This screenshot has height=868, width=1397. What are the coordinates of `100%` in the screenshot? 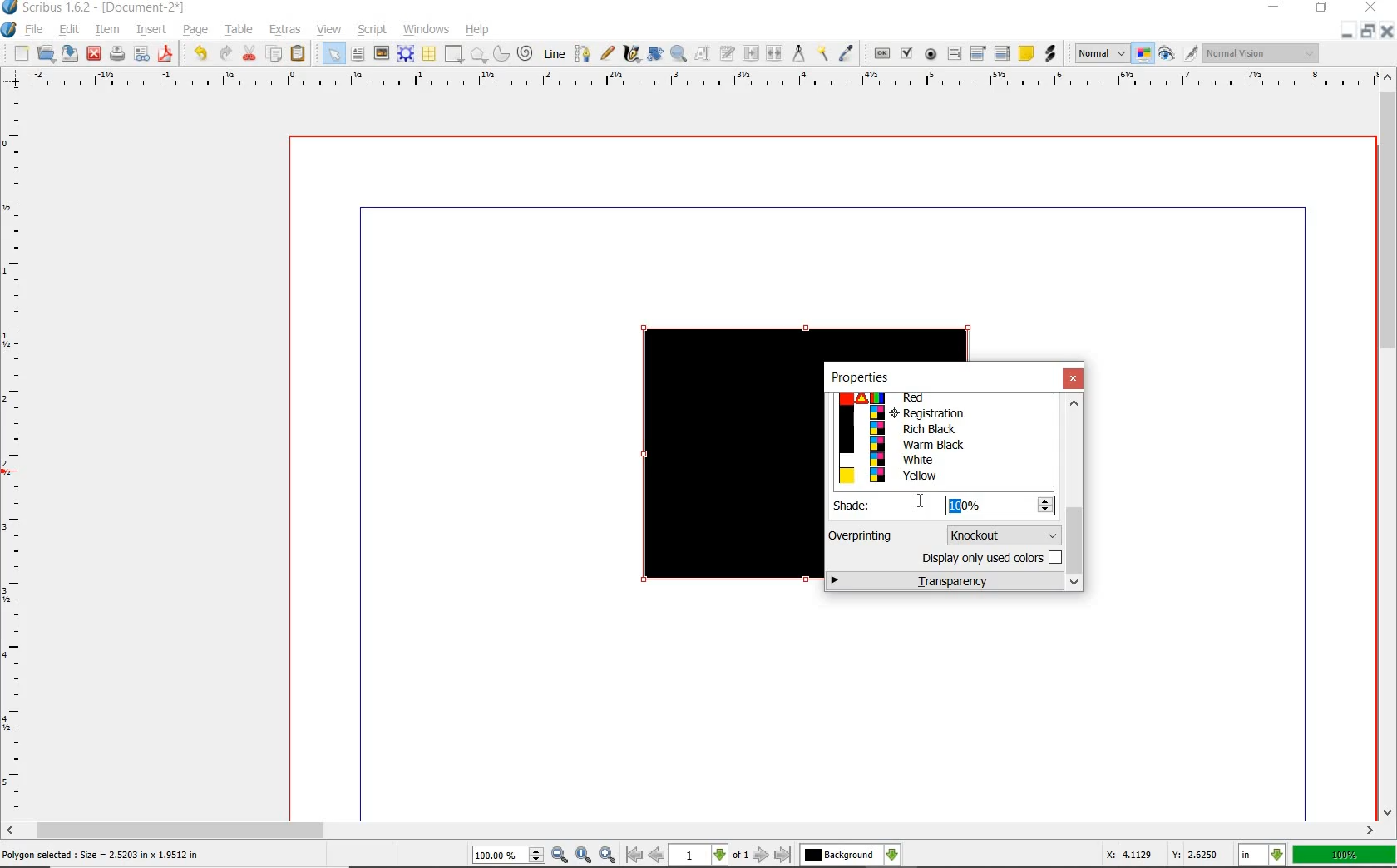 It's located at (1344, 856).